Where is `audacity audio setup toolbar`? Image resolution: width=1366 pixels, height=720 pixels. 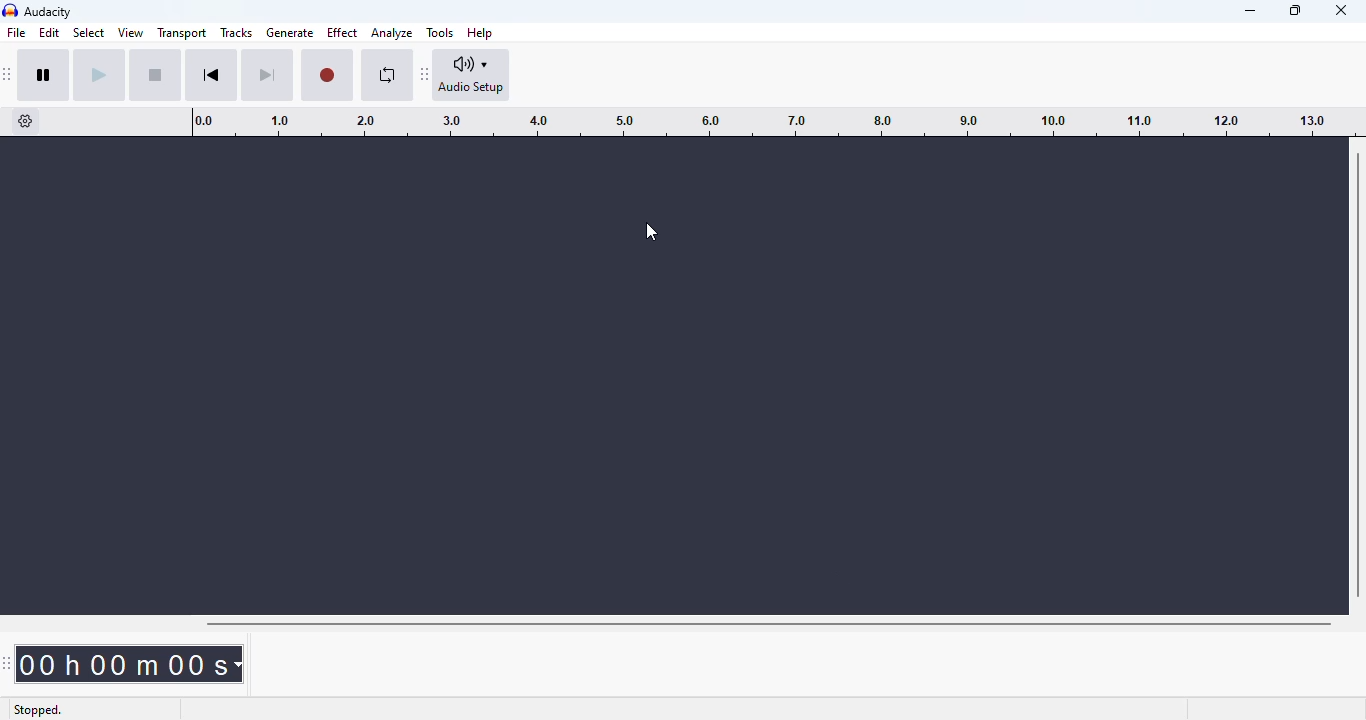 audacity audio setup toolbar is located at coordinates (425, 73).